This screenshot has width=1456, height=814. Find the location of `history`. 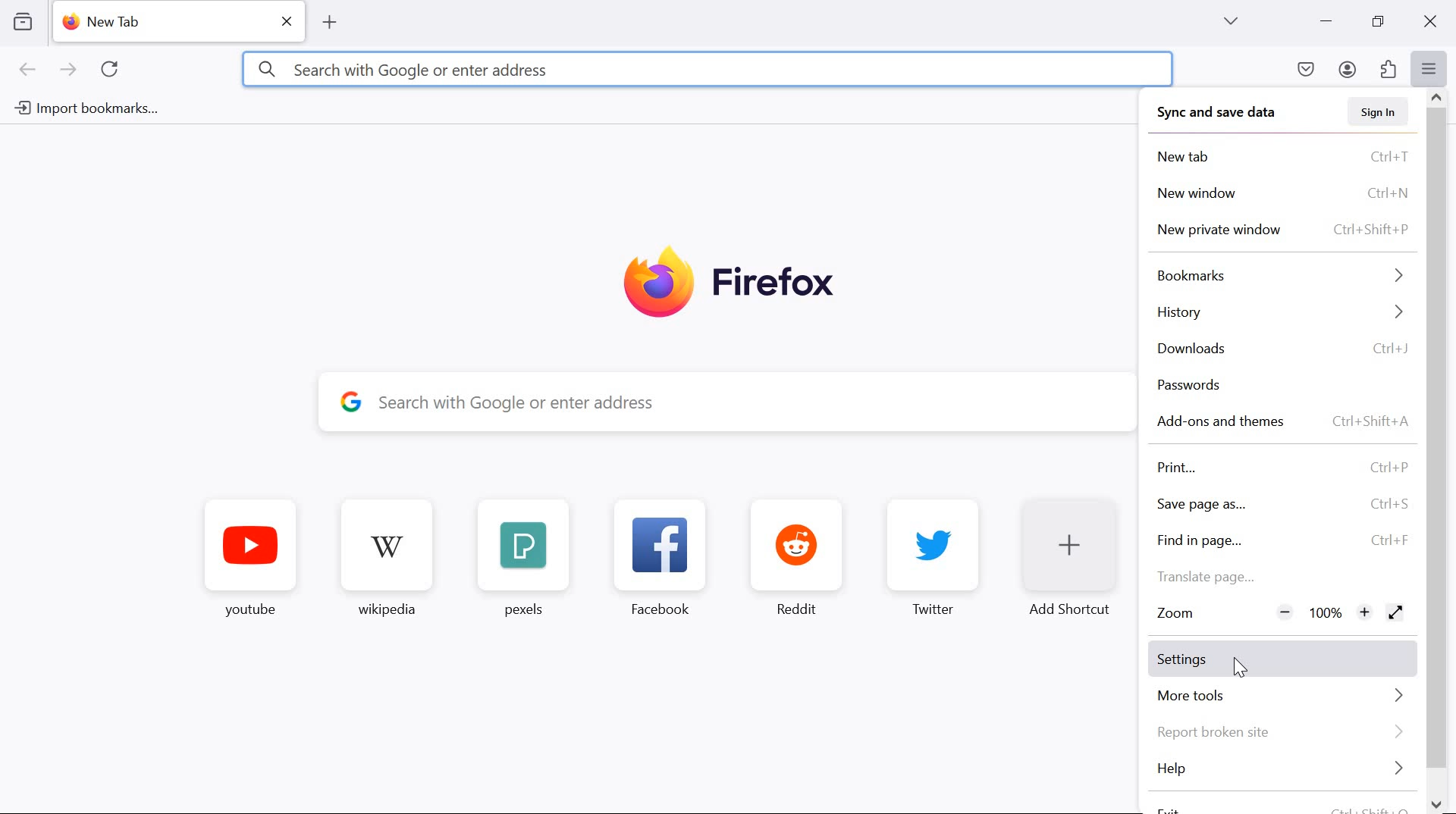

history is located at coordinates (1287, 313).